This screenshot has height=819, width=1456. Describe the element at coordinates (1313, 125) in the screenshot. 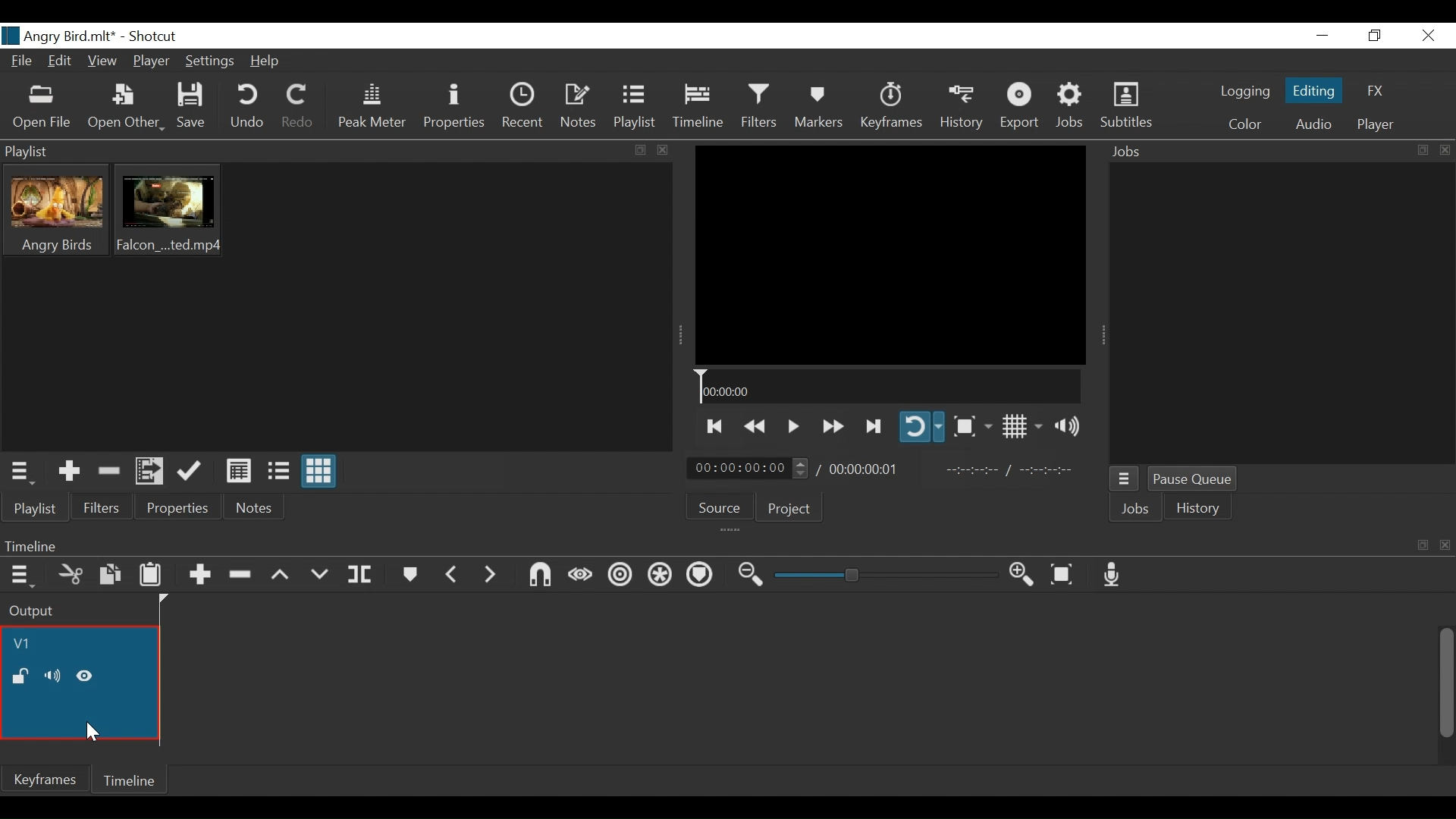

I see `` at that location.